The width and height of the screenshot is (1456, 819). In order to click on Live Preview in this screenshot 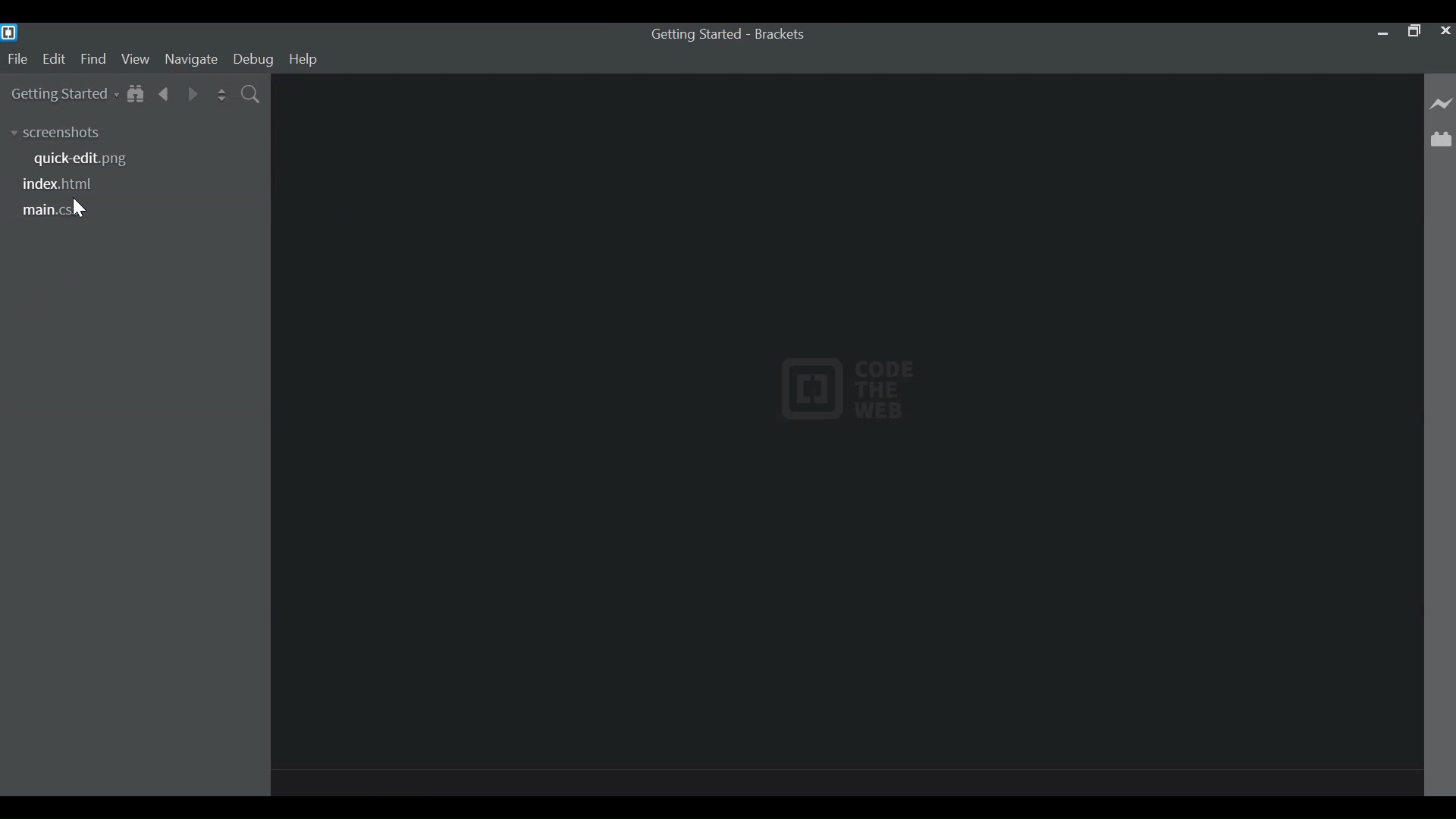, I will do `click(1441, 104)`.